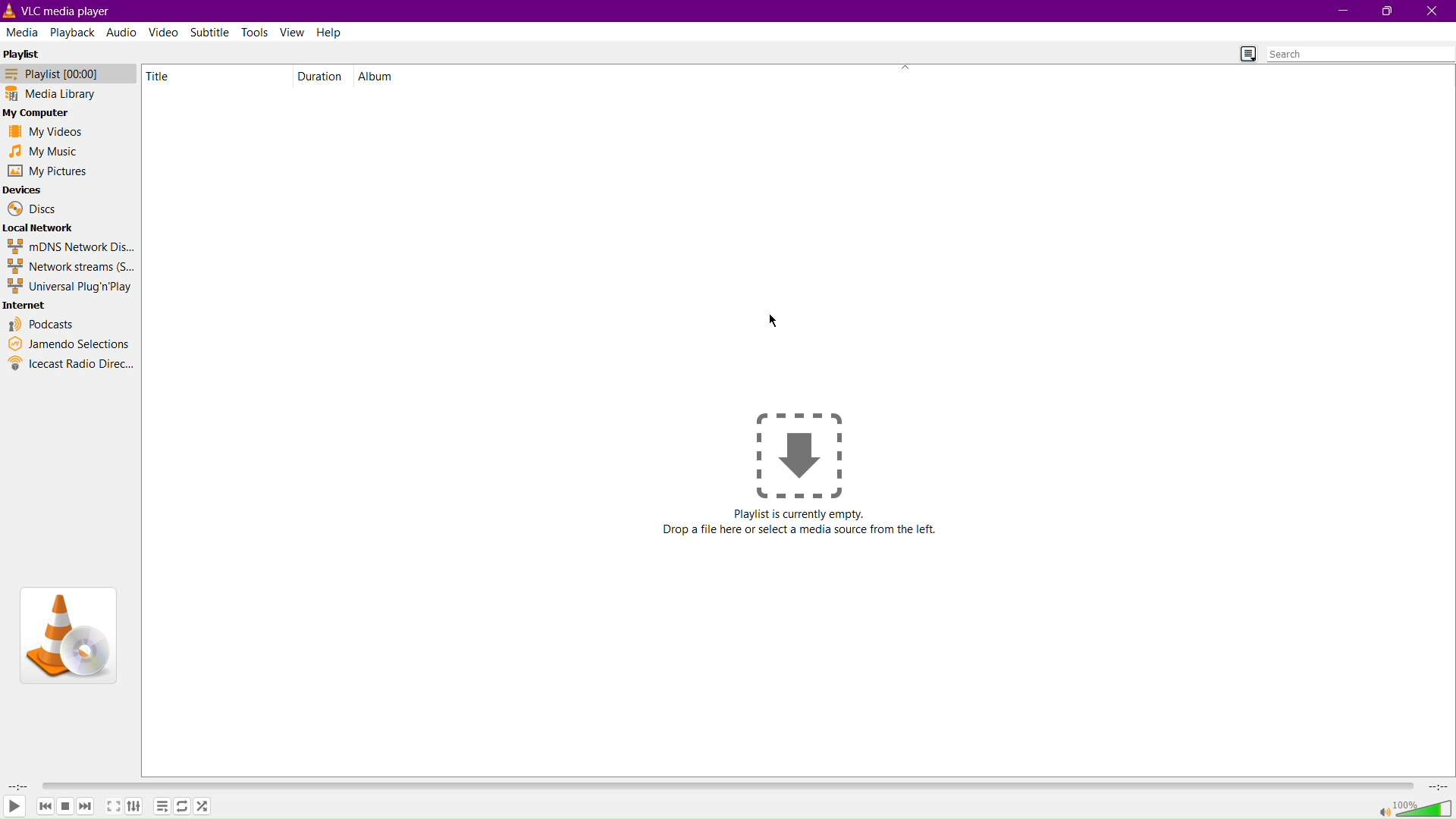 This screenshot has width=1456, height=819. I want to click on Search bar, so click(1360, 54).